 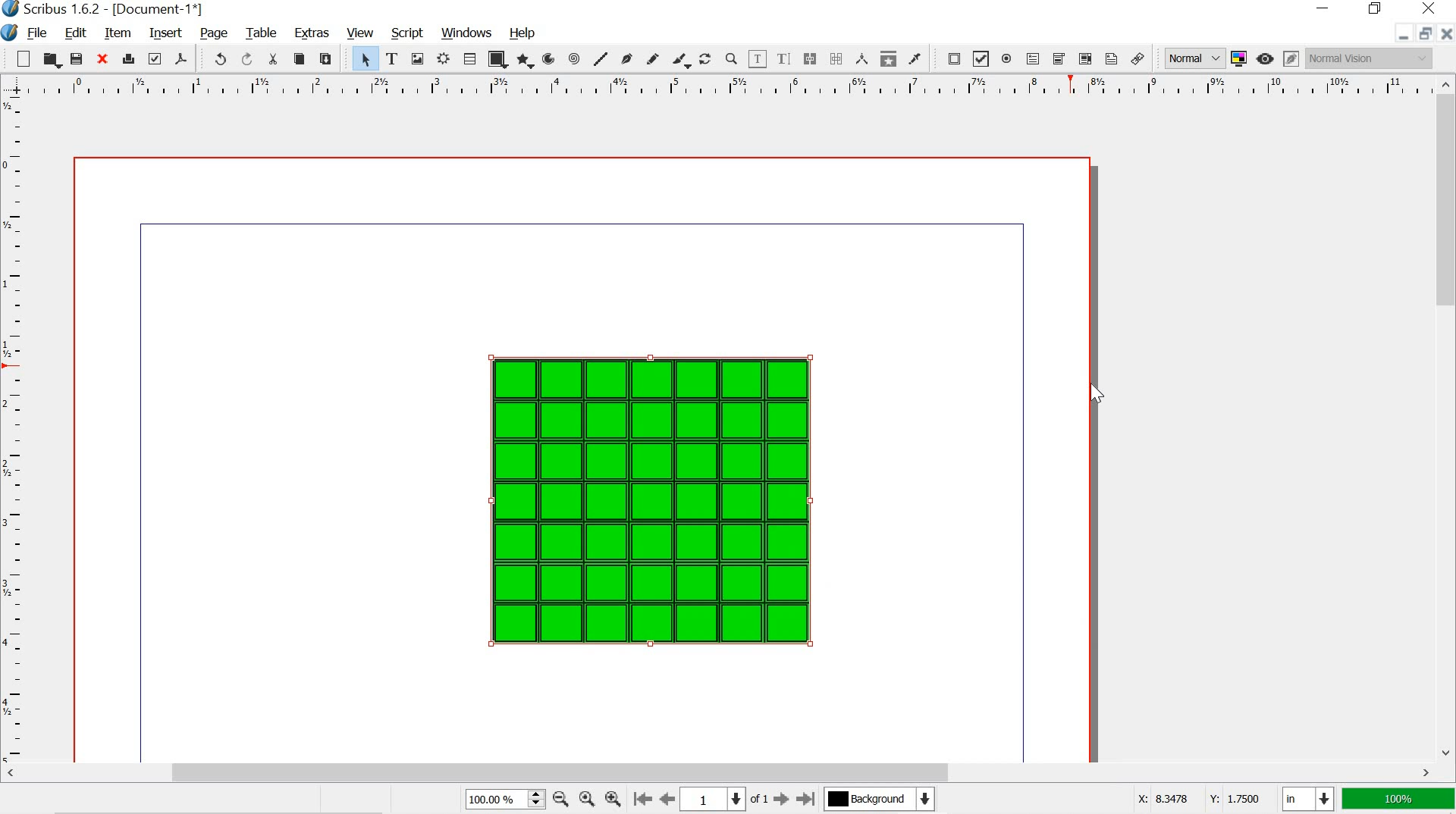 I want to click on zoom out, so click(x=559, y=798).